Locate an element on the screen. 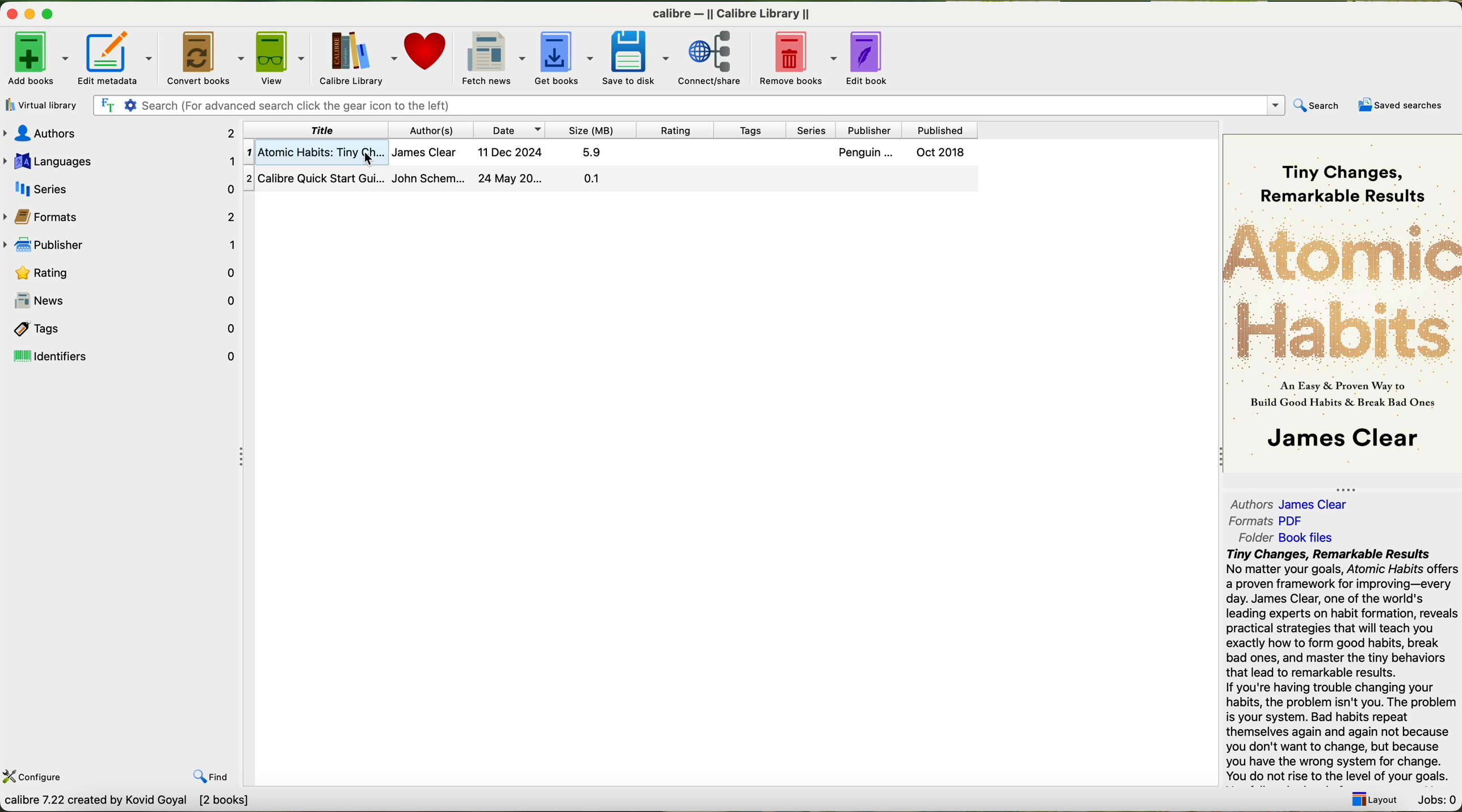  date is located at coordinates (510, 129).